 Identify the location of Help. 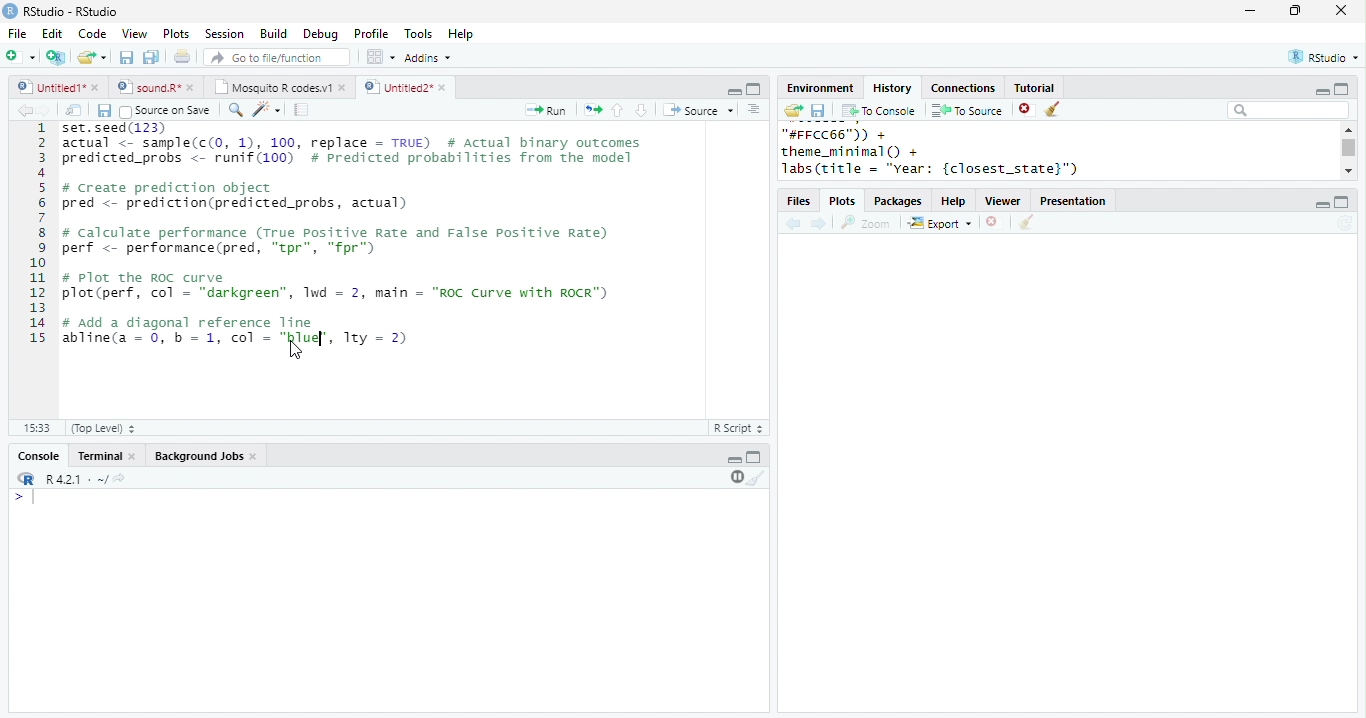
(461, 35).